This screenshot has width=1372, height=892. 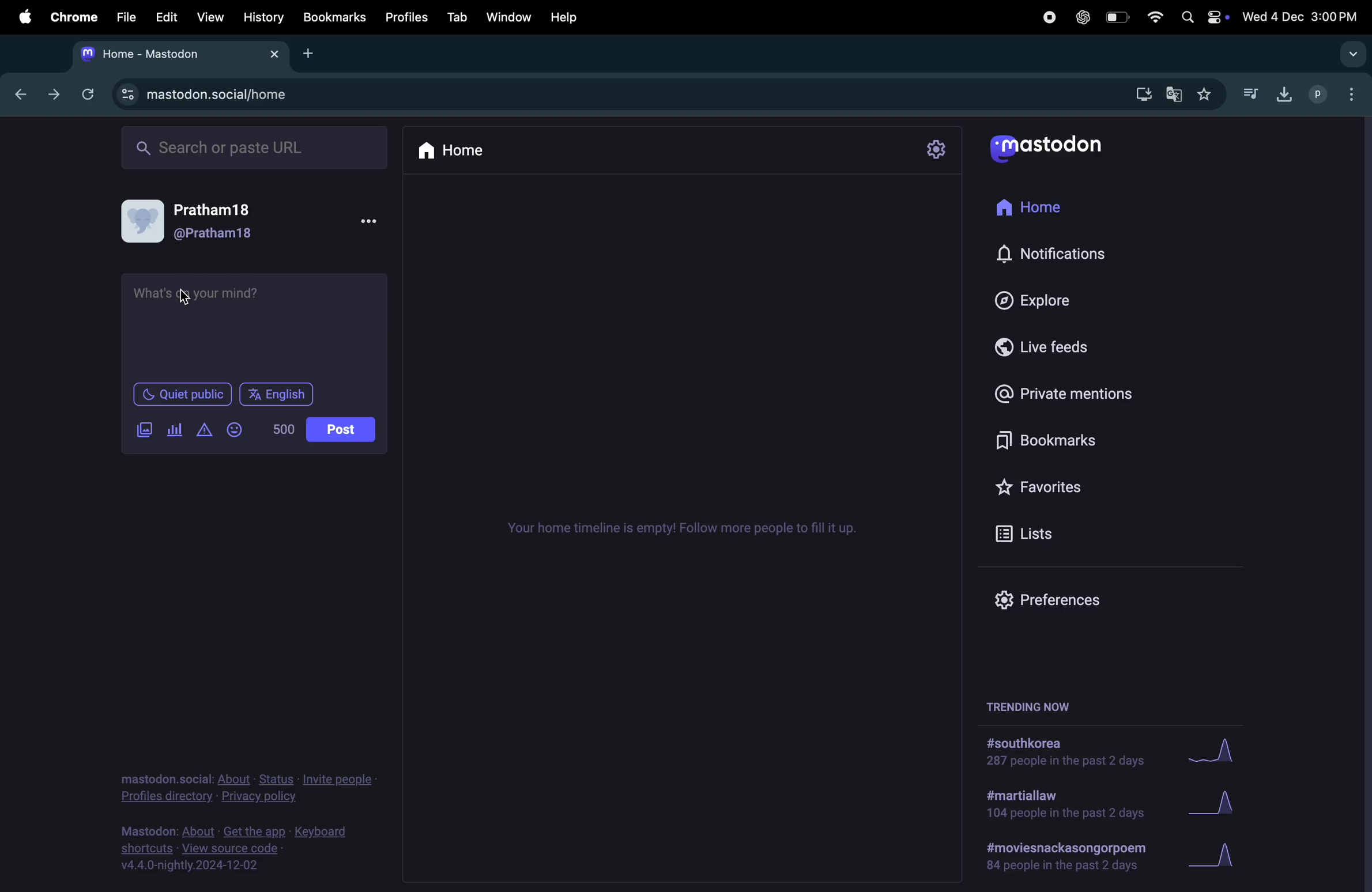 What do you see at coordinates (315, 55) in the screenshot?
I see `add tab` at bounding box center [315, 55].